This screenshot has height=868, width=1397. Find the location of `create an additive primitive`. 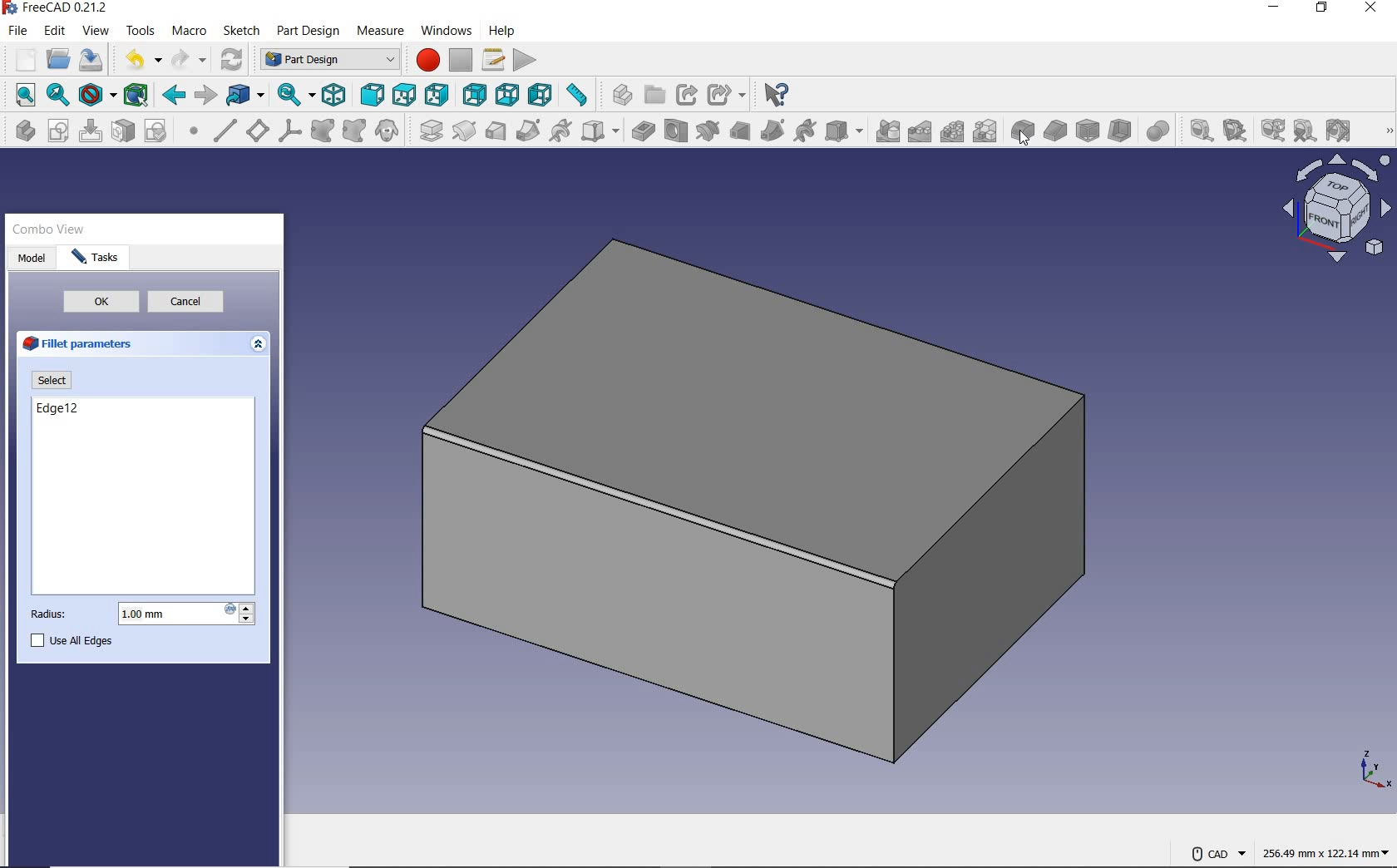

create an additive primitive is located at coordinates (600, 132).